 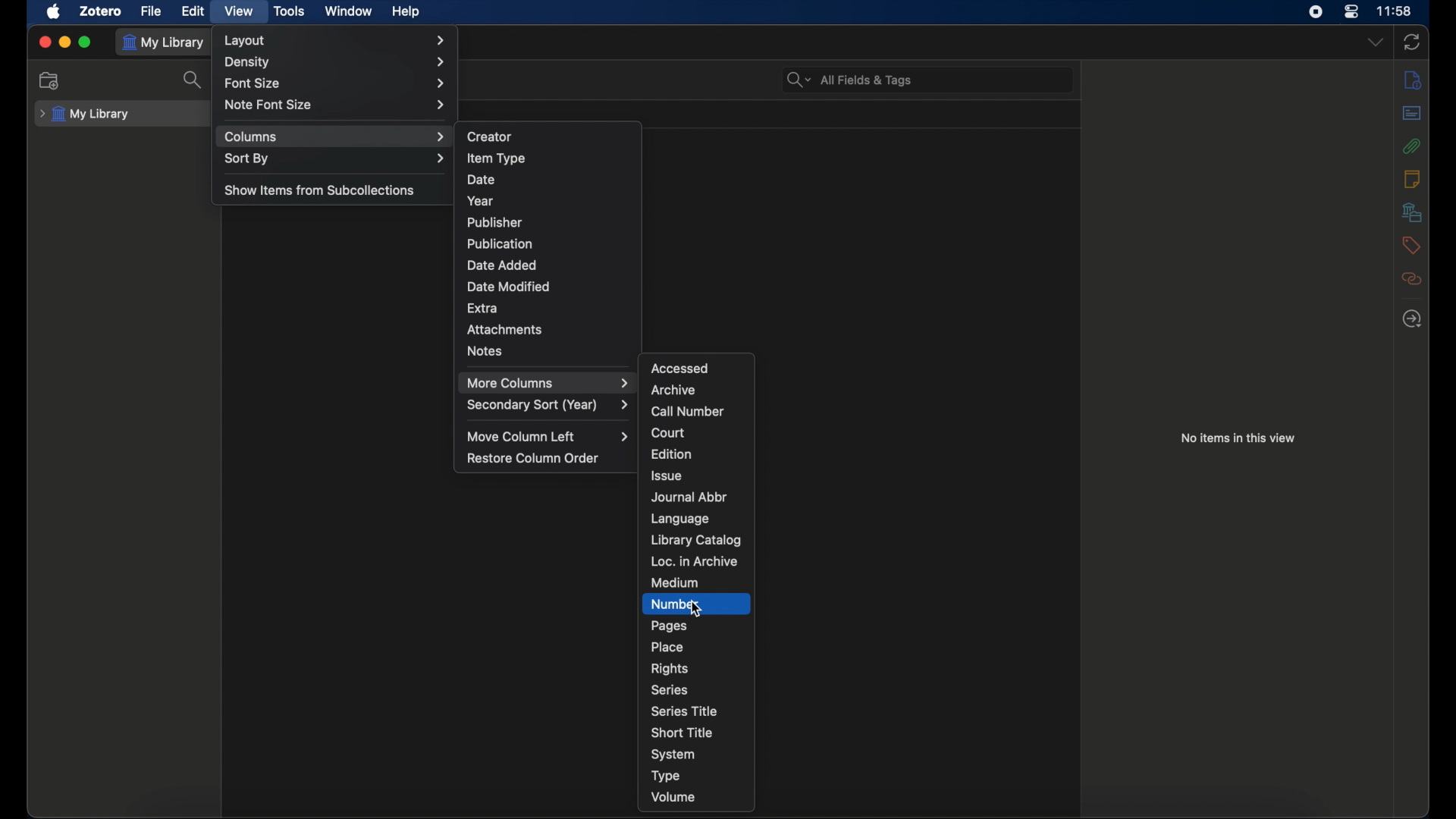 I want to click on libraries, so click(x=1410, y=212).